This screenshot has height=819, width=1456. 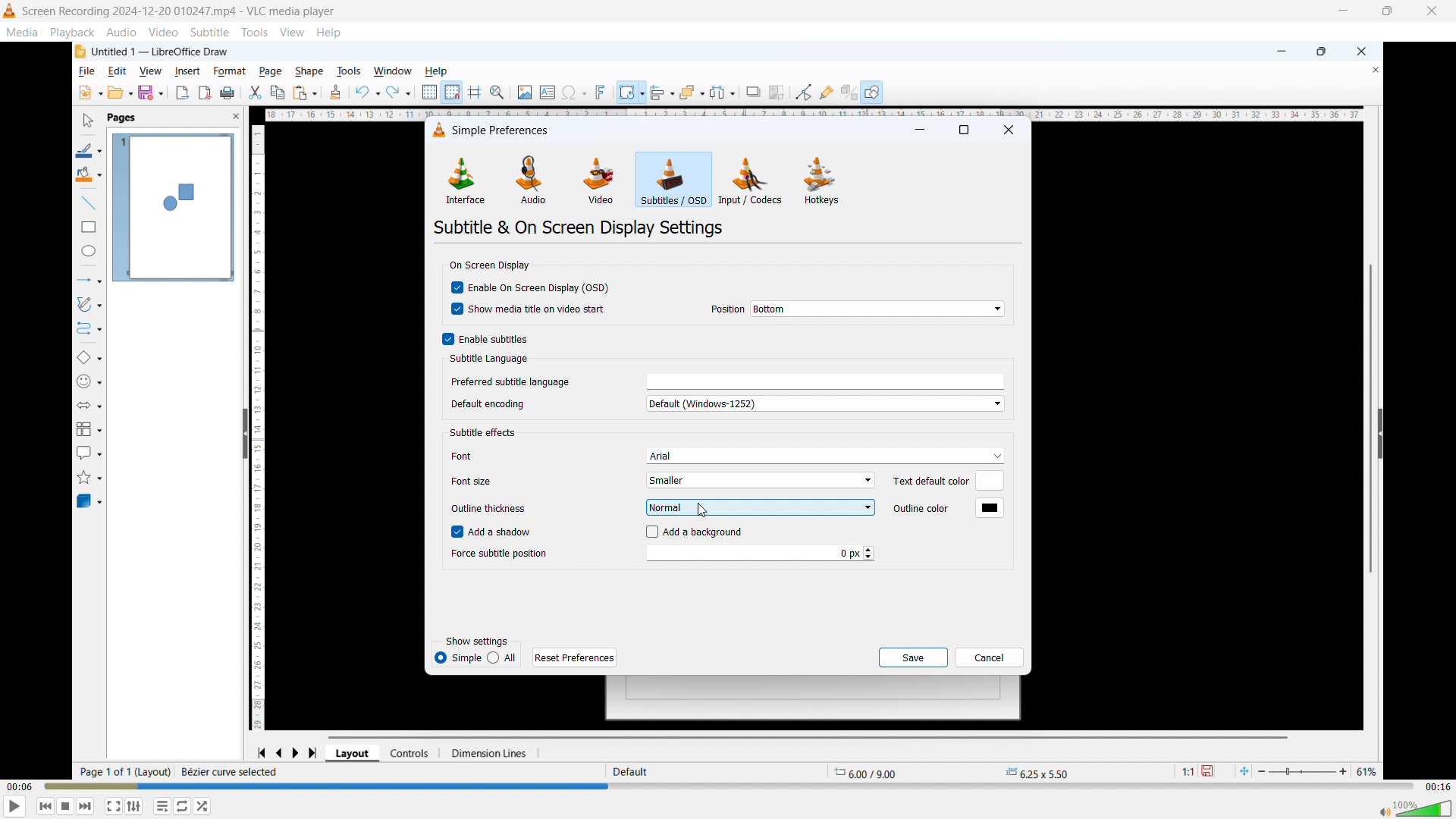 What do you see at coordinates (489, 405) in the screenshot?
I see `Default encoding` at bounding box center [489, 405].